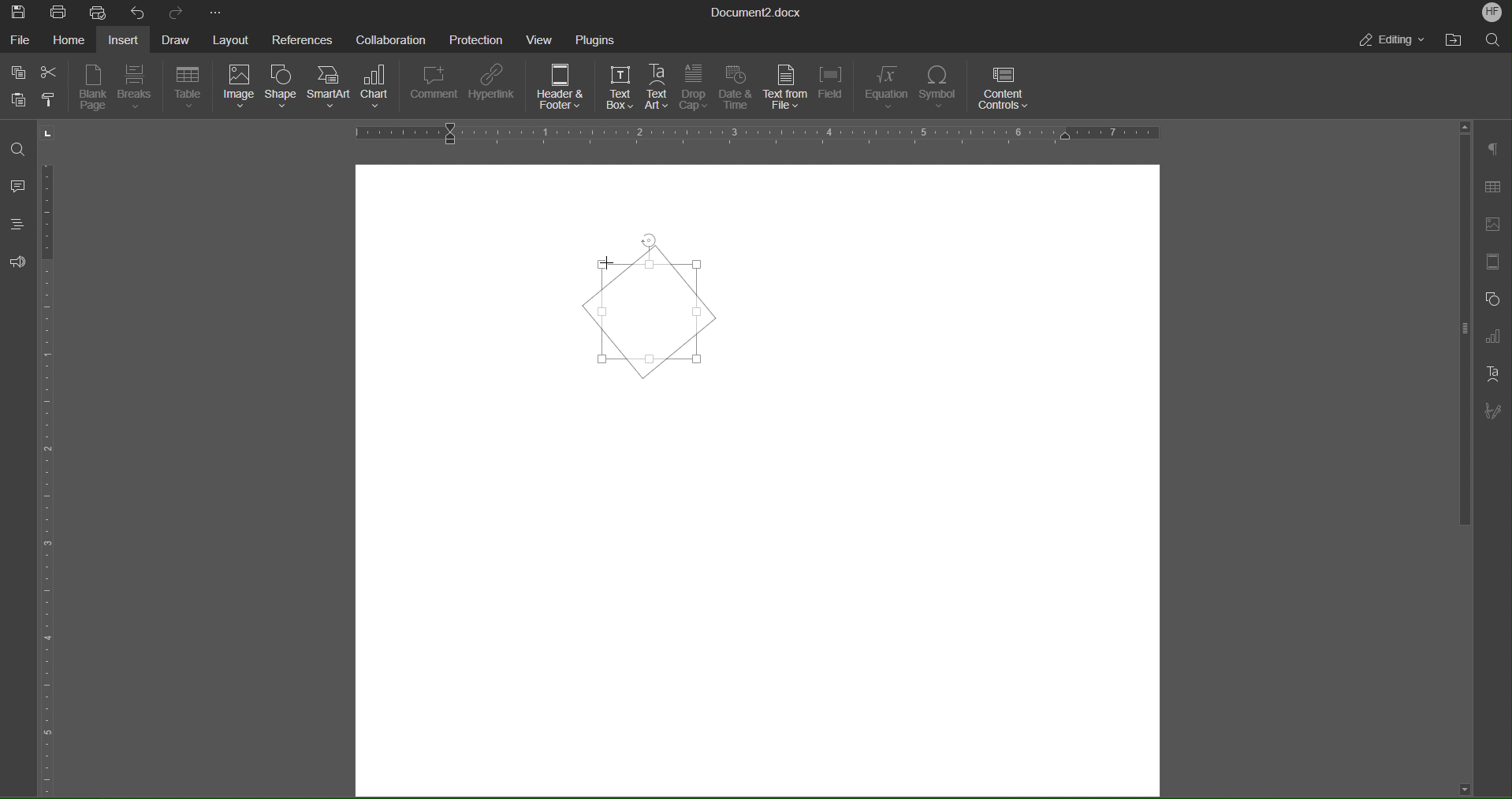 This screenshot has height=799, width=1512. I want to click on Header & Footer, so click(562, 89).